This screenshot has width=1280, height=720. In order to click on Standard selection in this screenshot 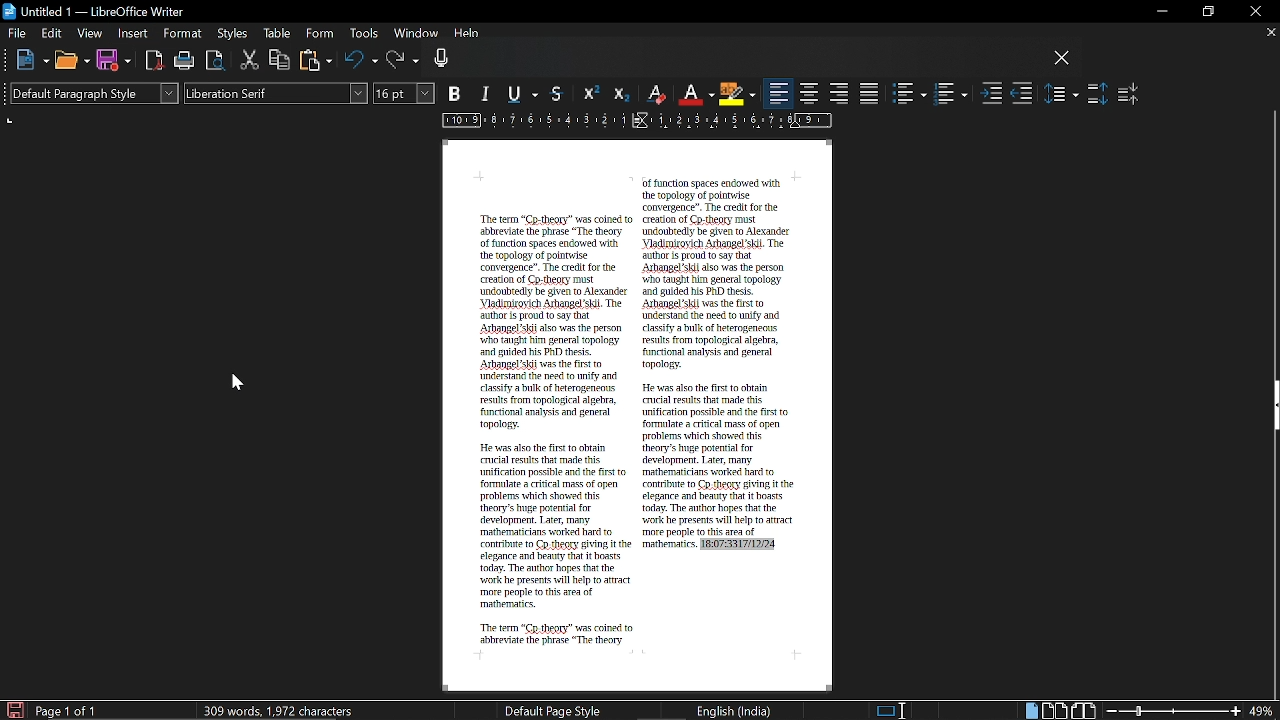, I will do `click(892, 710)`.